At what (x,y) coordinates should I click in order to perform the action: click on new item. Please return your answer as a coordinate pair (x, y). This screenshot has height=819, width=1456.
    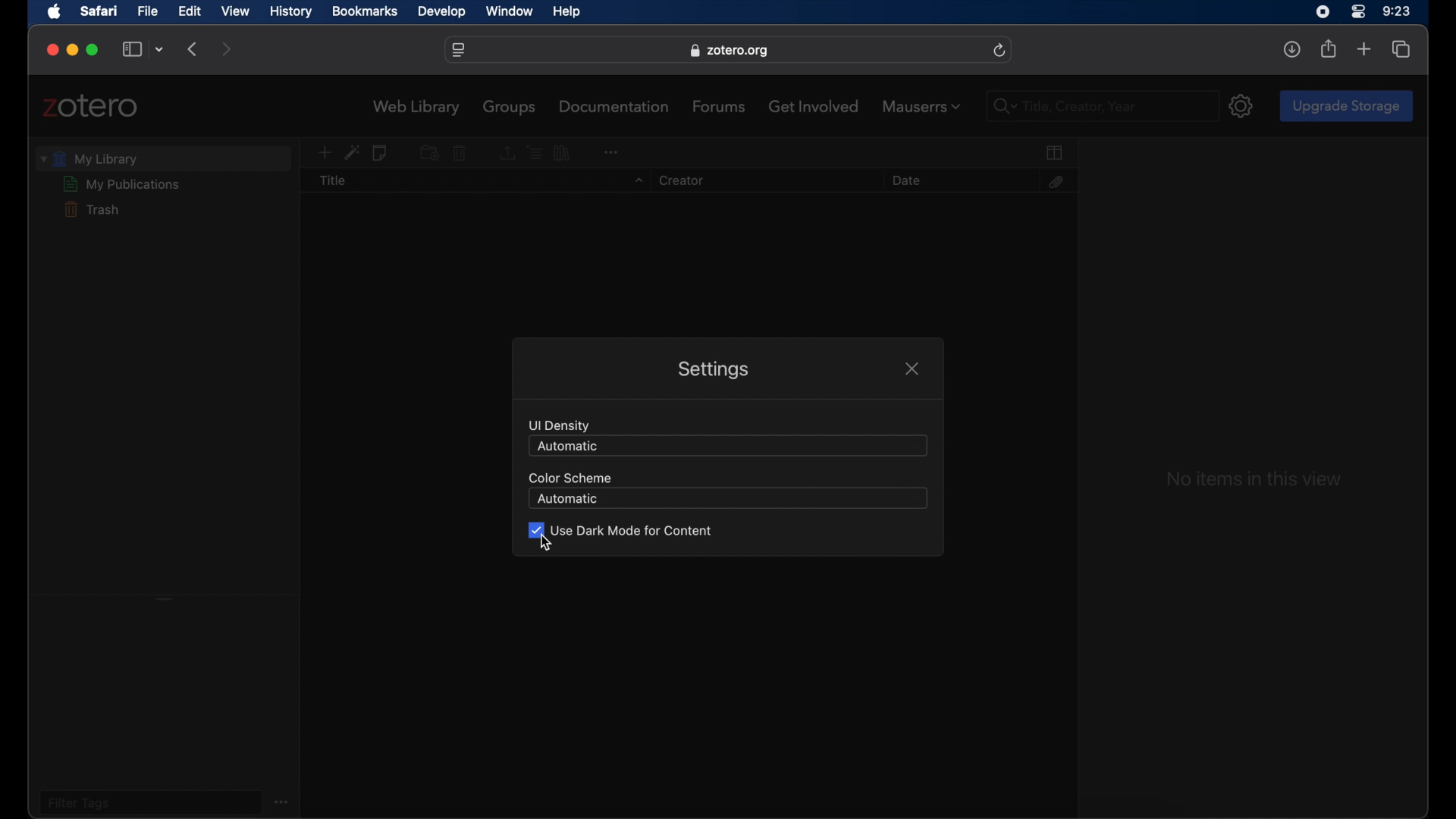
    Looking at the image, I should click on (324, 153).